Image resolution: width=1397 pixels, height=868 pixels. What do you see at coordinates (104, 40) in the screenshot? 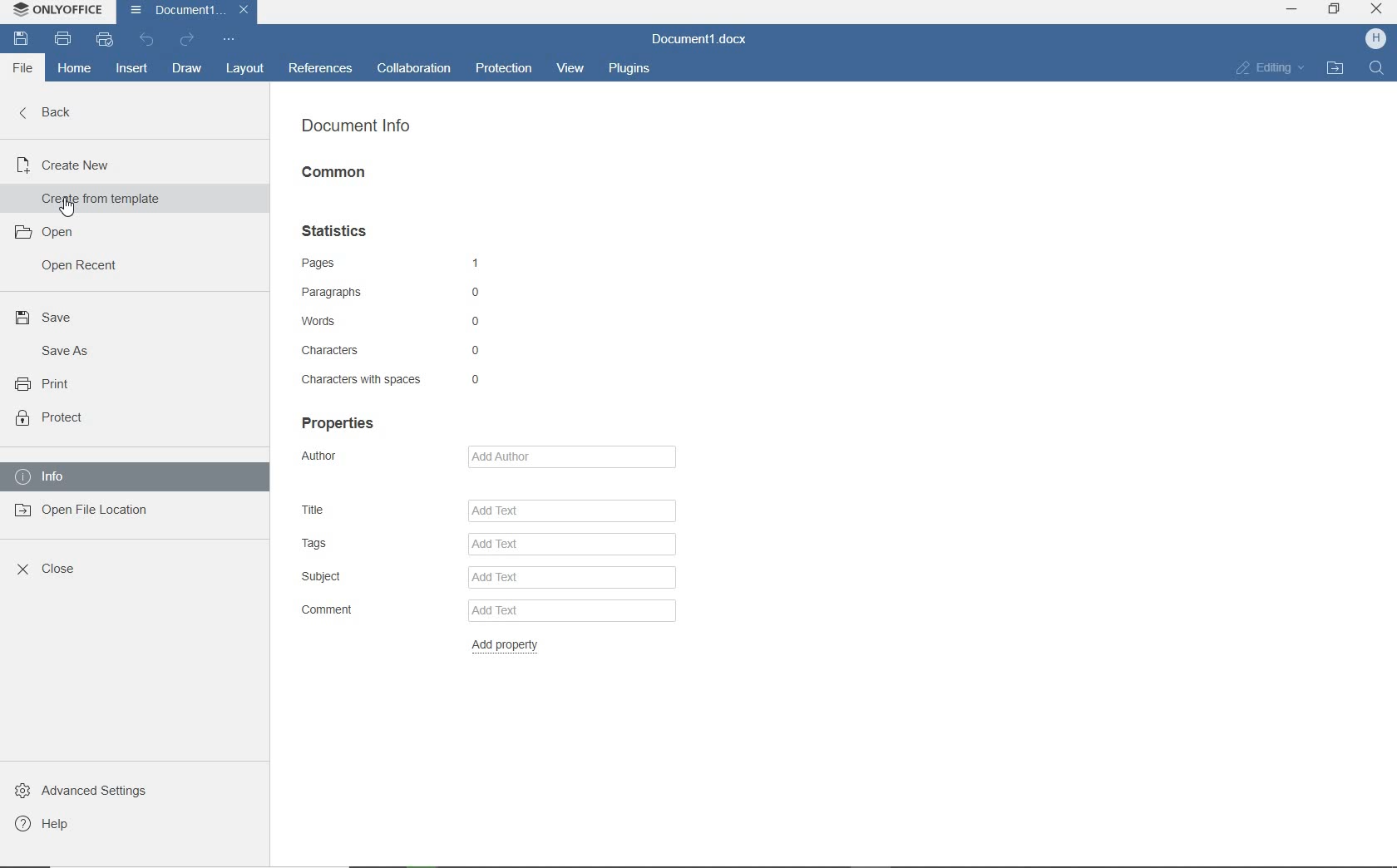
I see `quick print` at bounding box center [104, 40].